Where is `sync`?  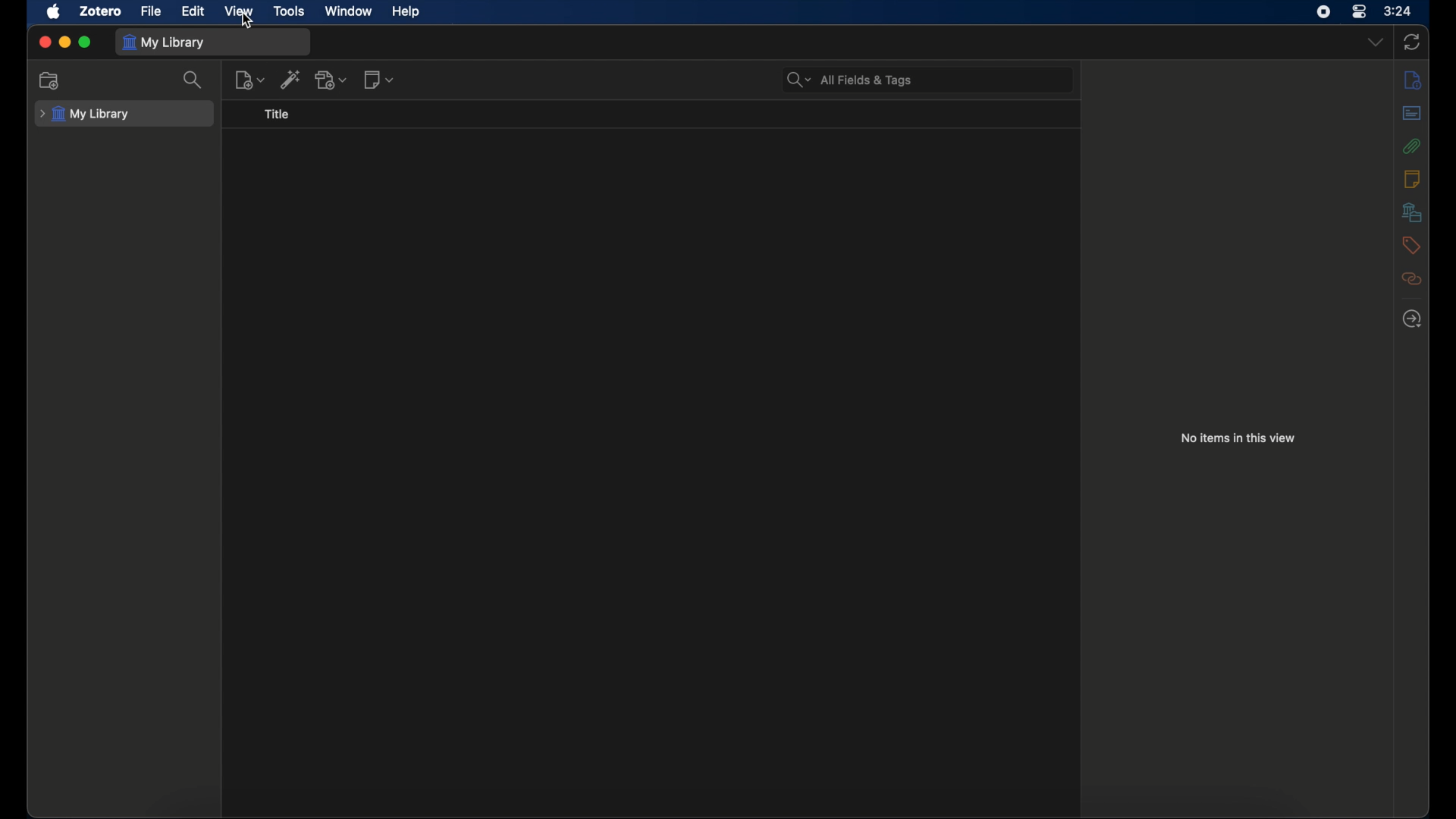
sync is located at coordinates (1412, 42).